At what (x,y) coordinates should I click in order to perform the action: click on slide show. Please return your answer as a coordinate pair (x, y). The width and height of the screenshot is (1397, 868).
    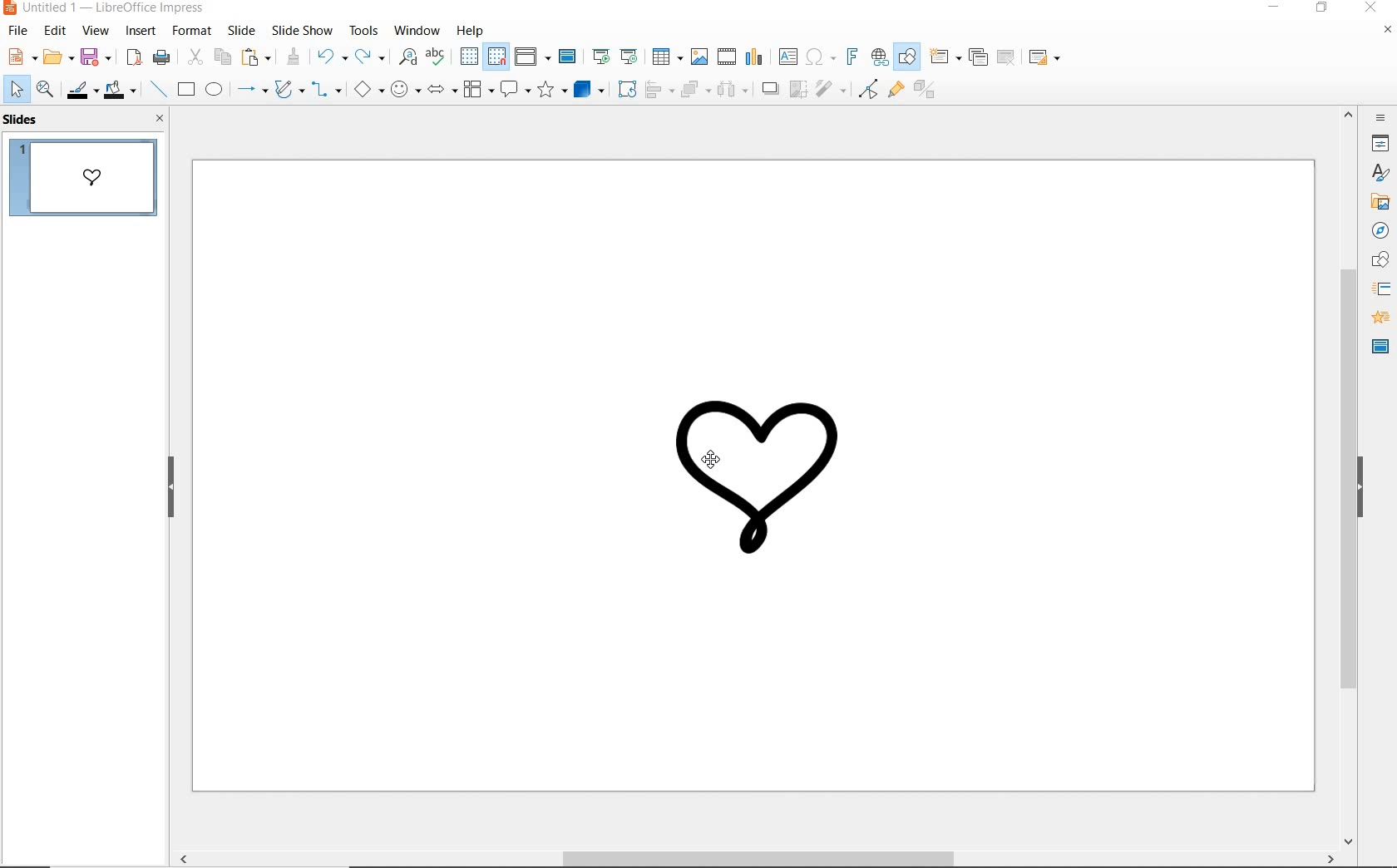
    Looking at the image, I should click on (300, 30).